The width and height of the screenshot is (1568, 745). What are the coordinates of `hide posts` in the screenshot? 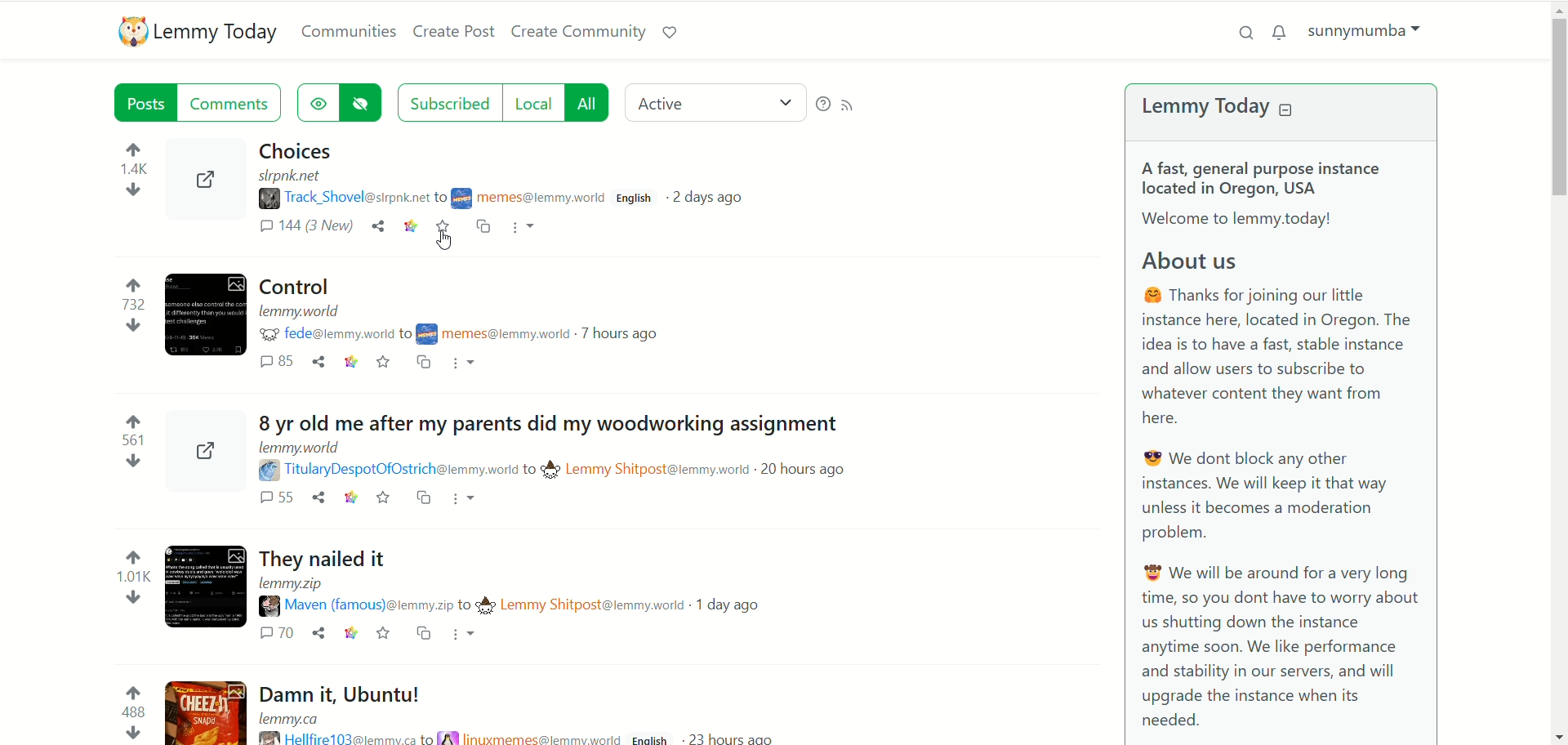 It's located at (363, 105).